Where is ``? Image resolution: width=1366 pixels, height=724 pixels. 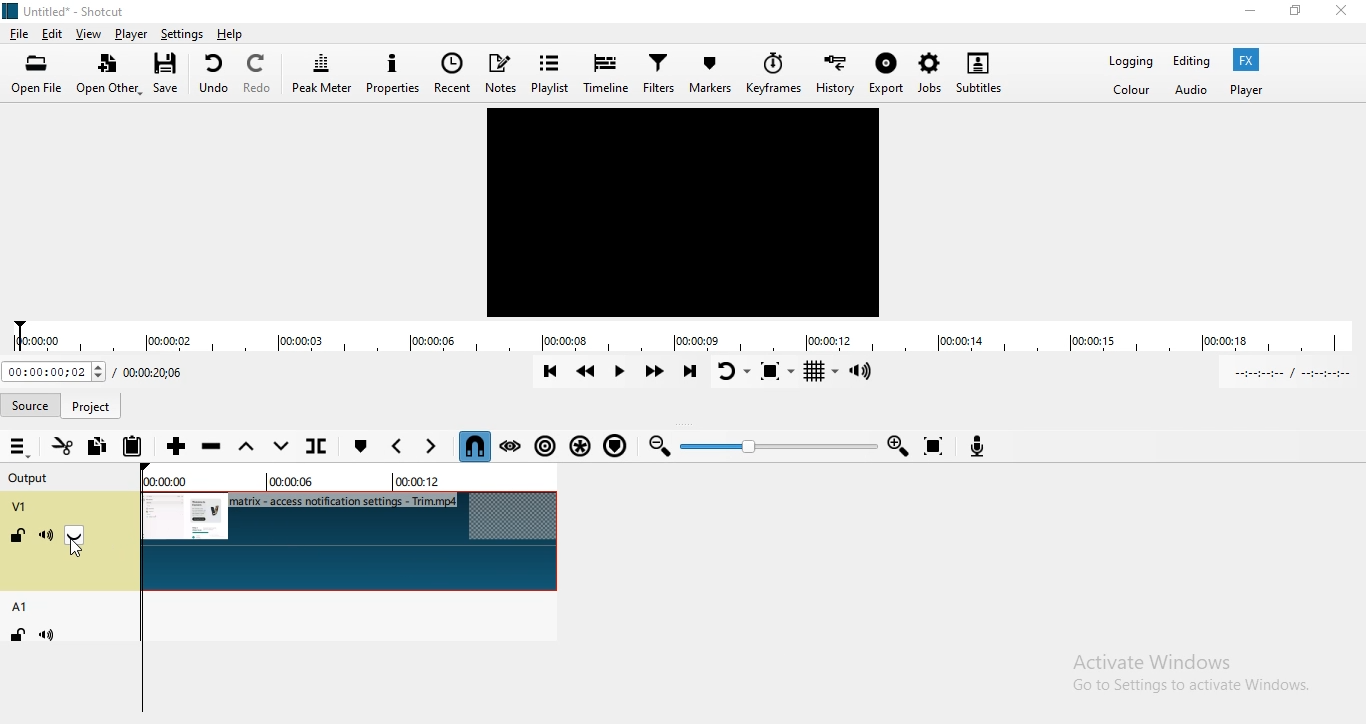
 is located at coordinates (781, 447).